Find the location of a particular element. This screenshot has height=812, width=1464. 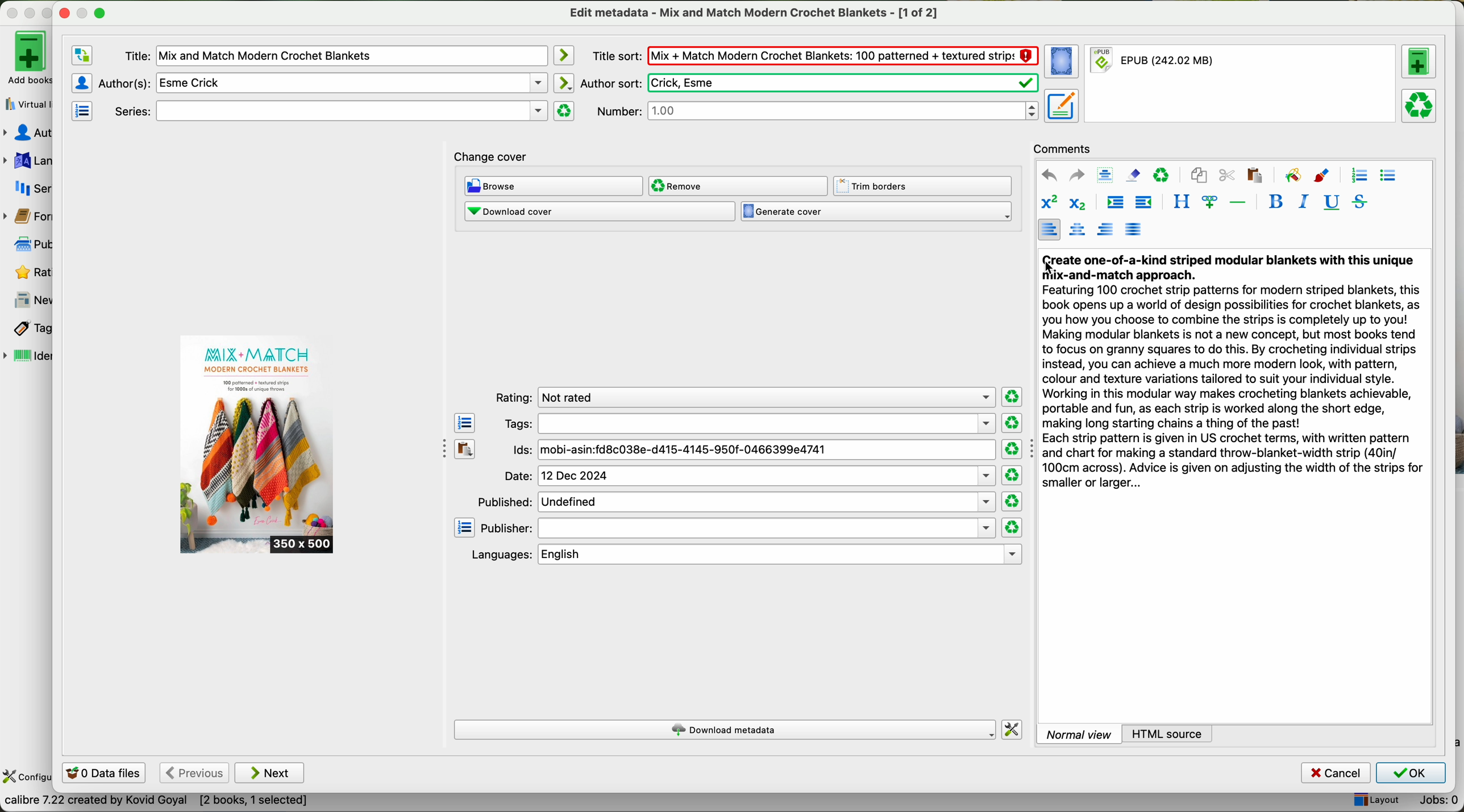

paste the contents of the clipboard is located at coordinates (465, 449).